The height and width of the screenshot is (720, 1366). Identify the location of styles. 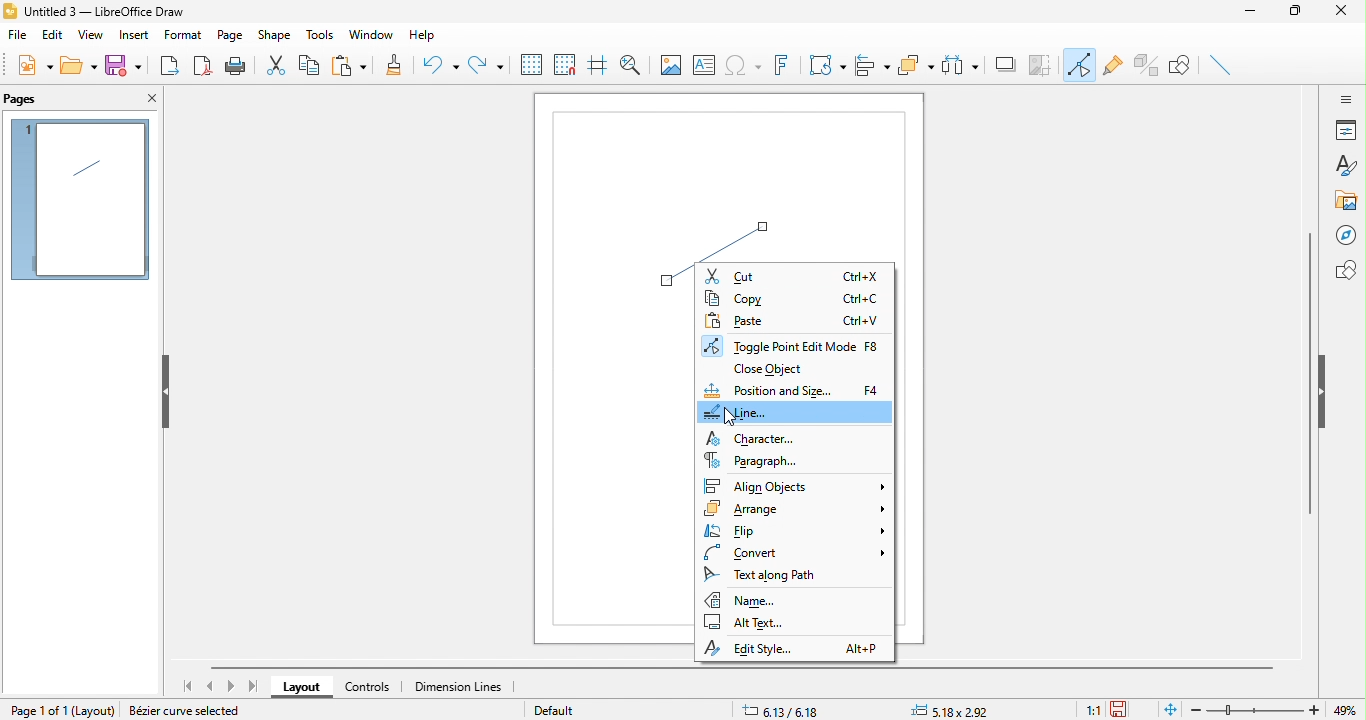
(1345, 167).